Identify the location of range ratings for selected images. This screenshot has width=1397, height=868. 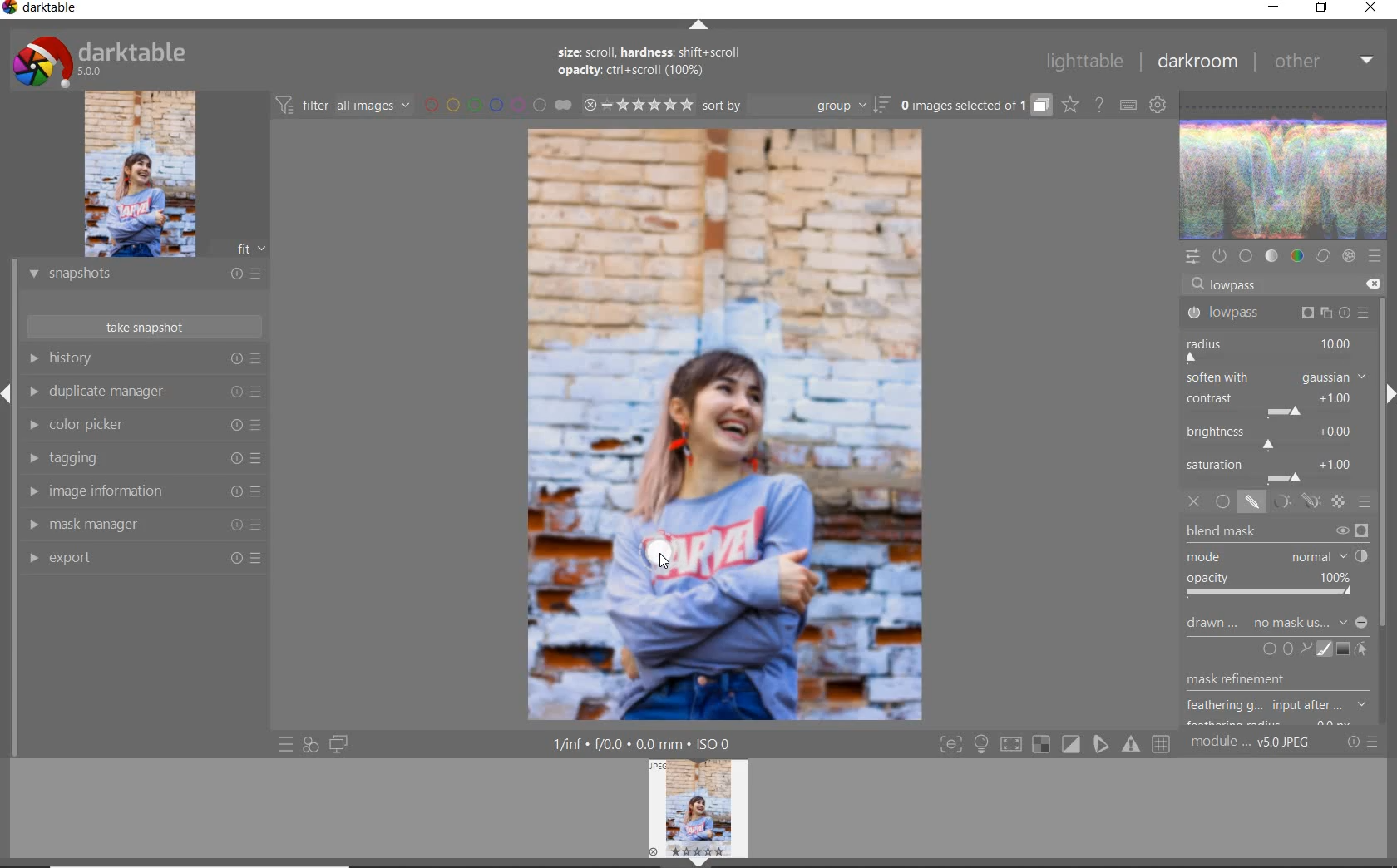
(638, 104).